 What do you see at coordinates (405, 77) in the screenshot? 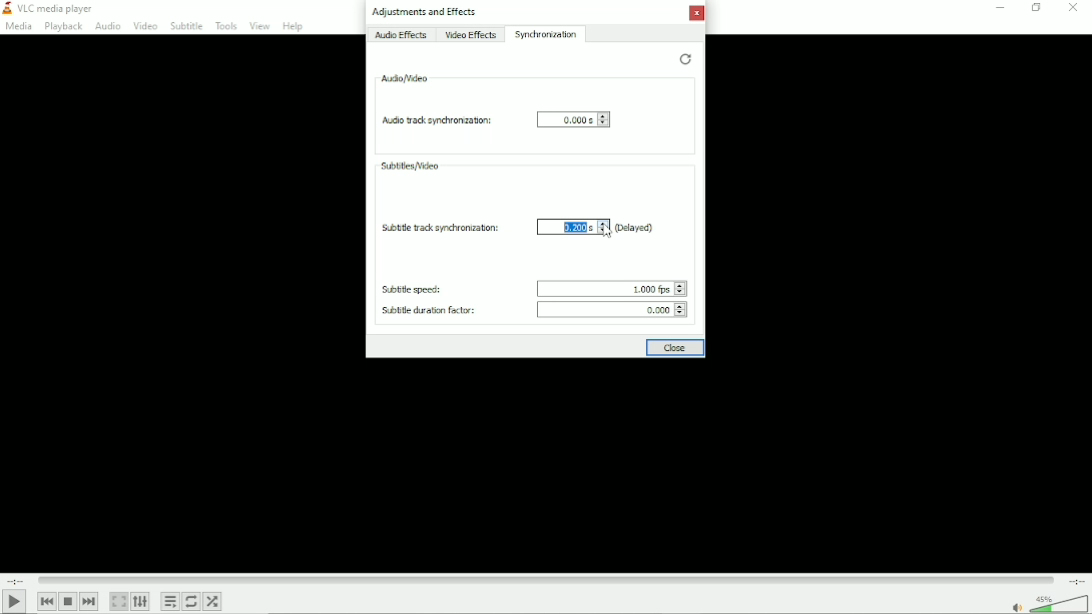
I see `Audio/video` at bounding box center [405, 77].